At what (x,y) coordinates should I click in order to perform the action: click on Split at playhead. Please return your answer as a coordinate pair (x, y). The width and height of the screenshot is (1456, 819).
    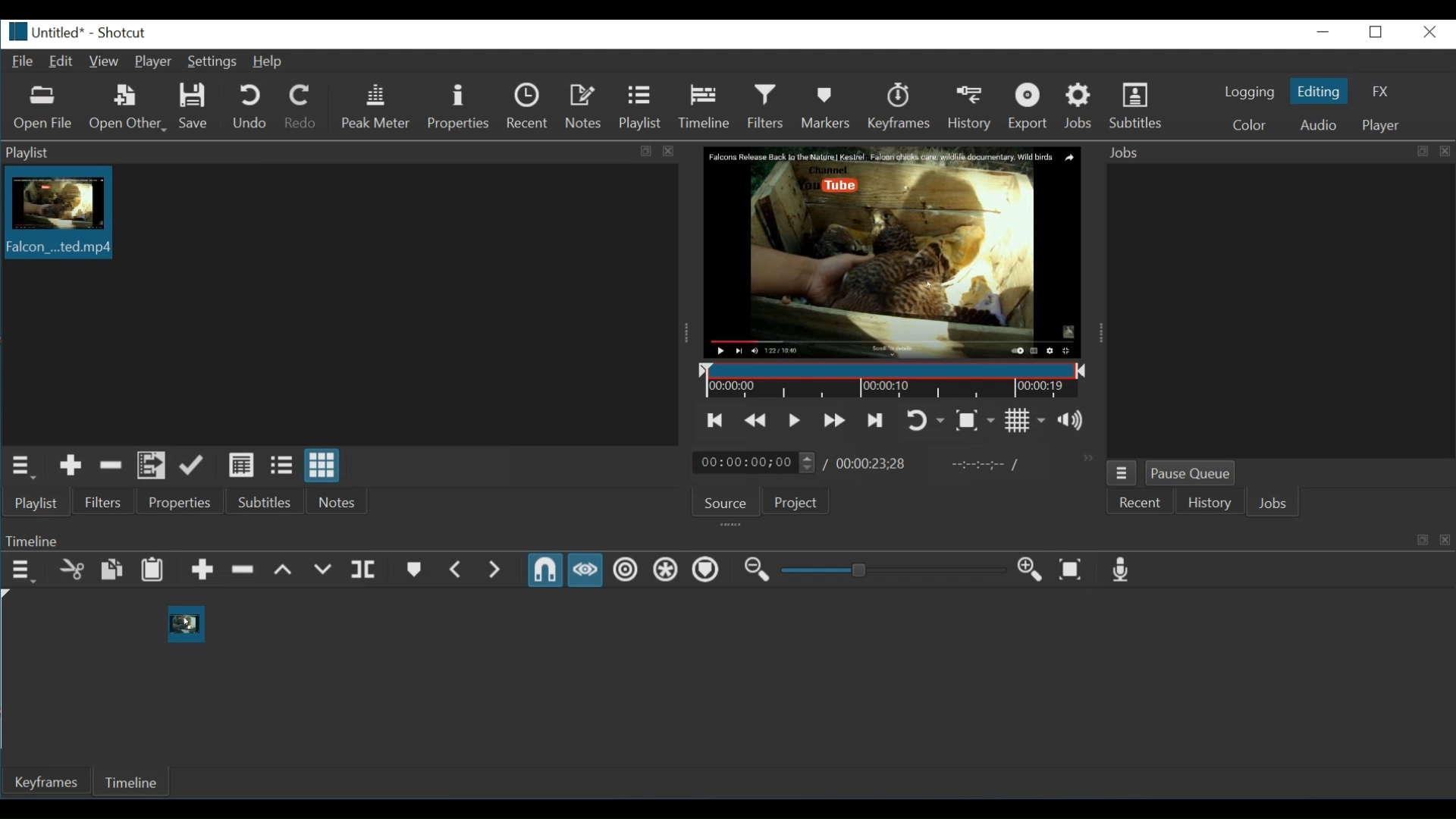
    Looking at the image, I should click on (366, 570).